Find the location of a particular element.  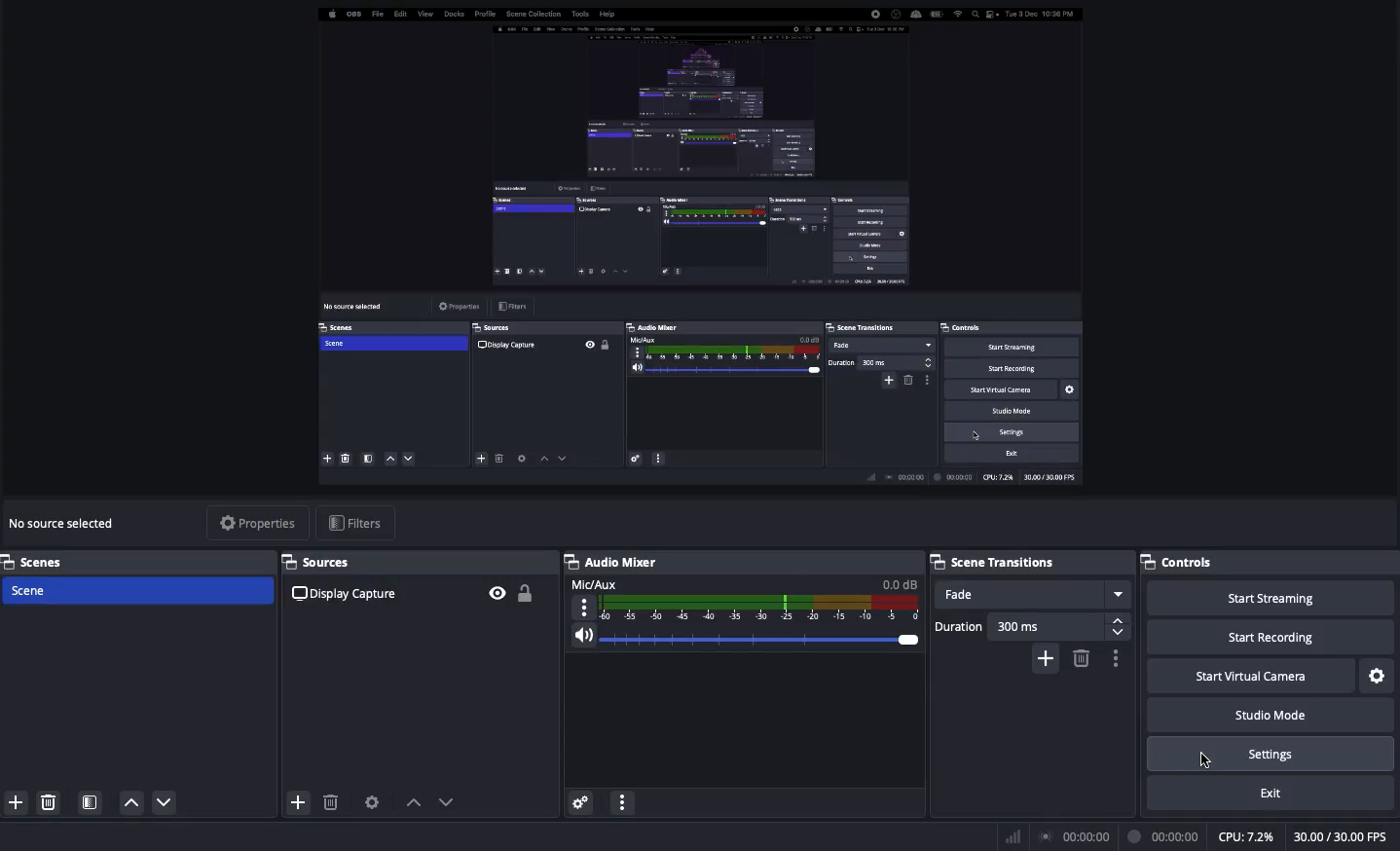

Up is located at coordinates (159, 804).